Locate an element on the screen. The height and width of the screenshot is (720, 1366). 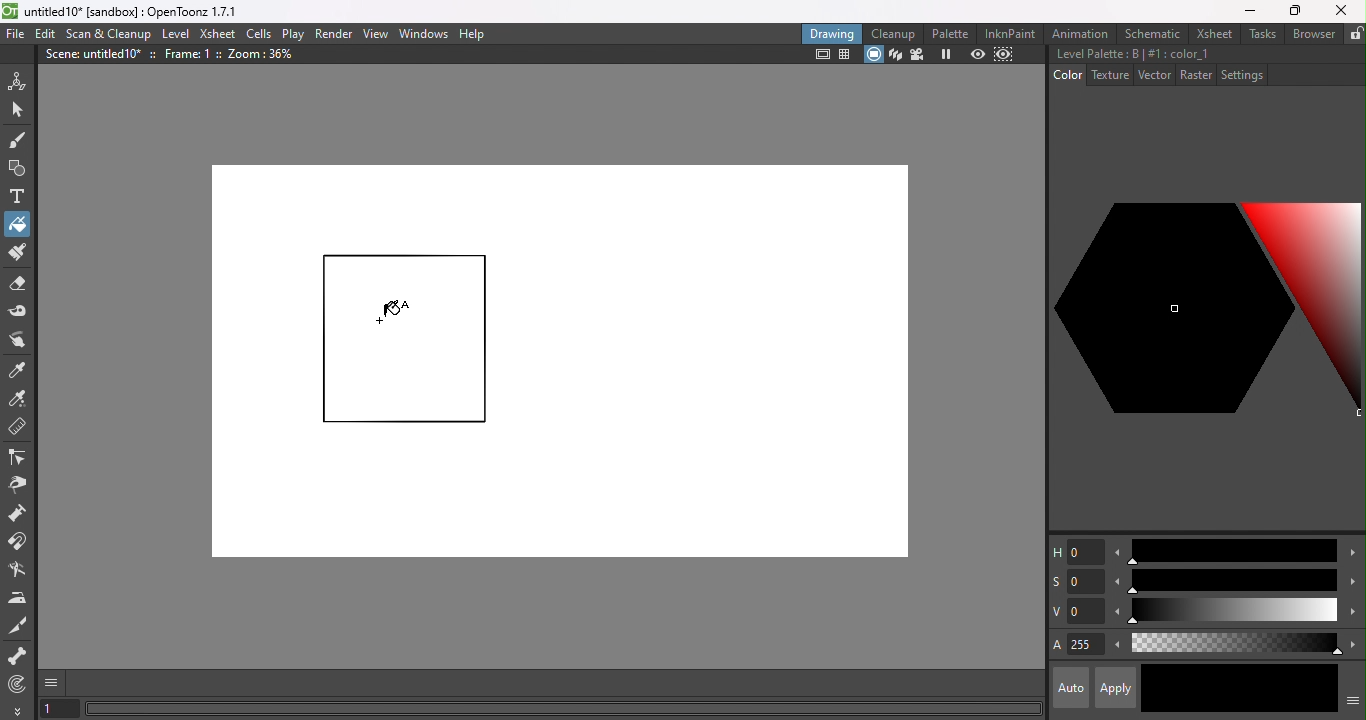
Slide bar is located at coordinates (1232, 581).